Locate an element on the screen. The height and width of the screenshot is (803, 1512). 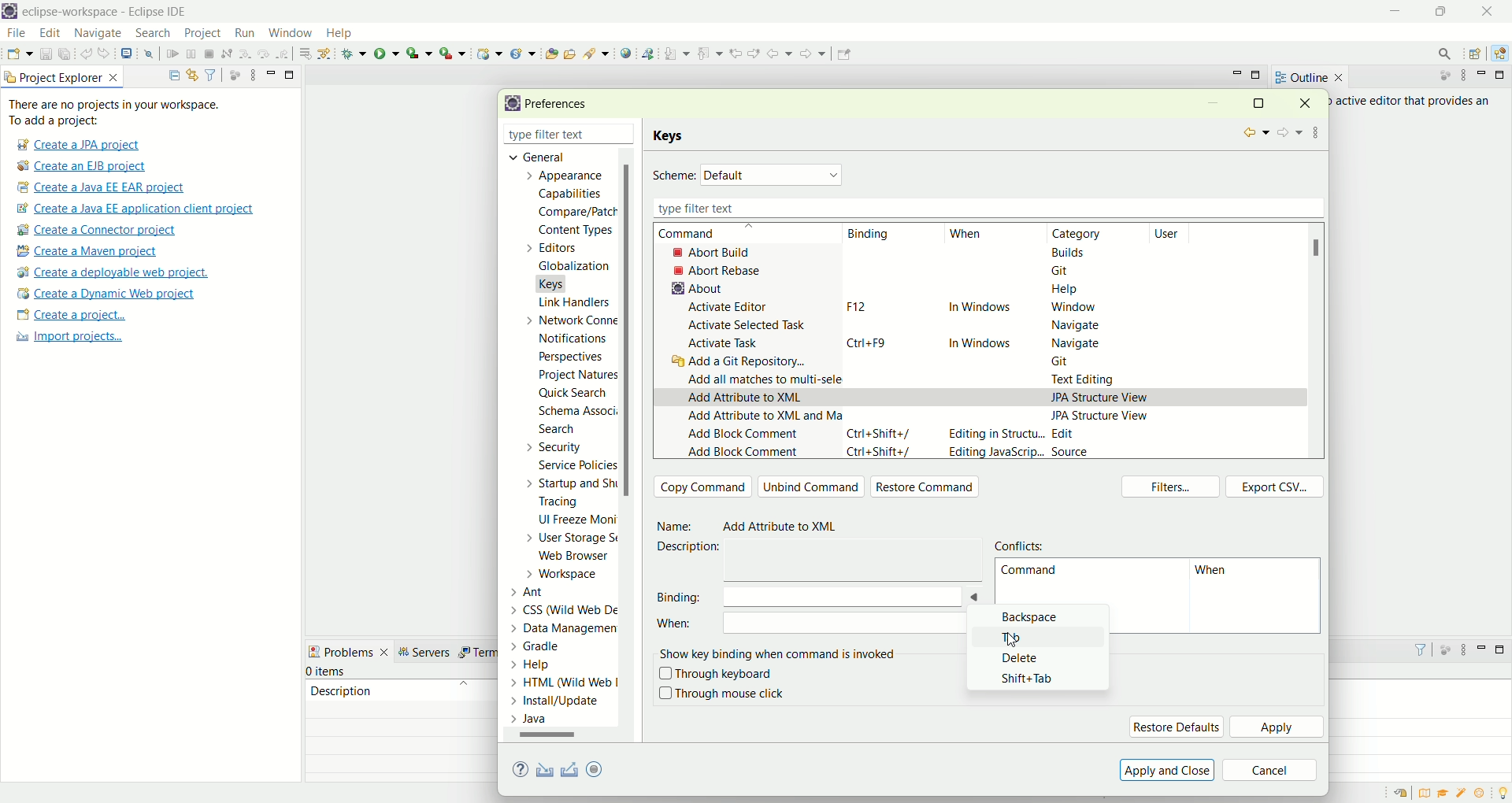
Delete is located at coordinates (1028, 658).